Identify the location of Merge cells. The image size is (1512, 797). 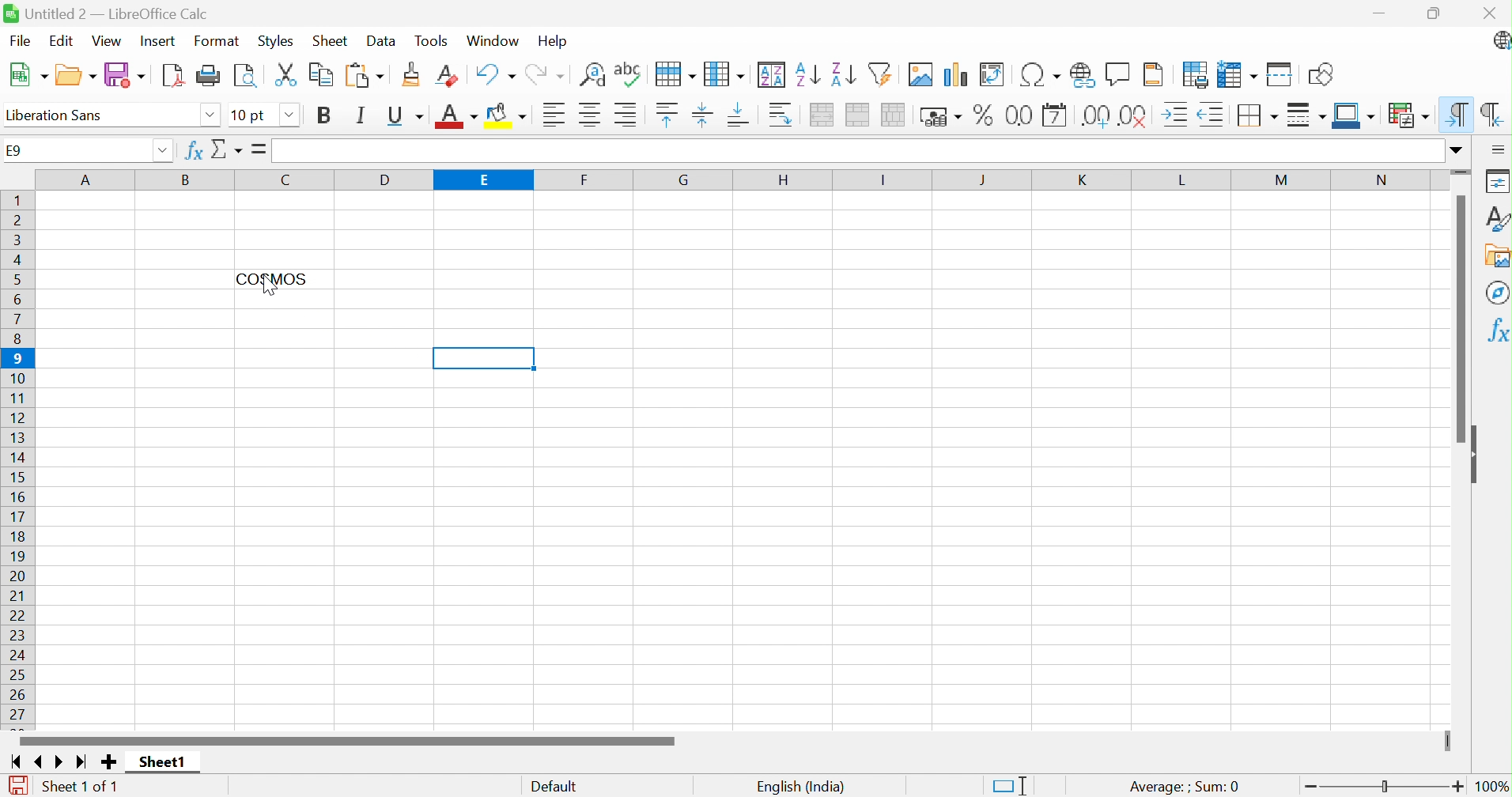
(858, 115).